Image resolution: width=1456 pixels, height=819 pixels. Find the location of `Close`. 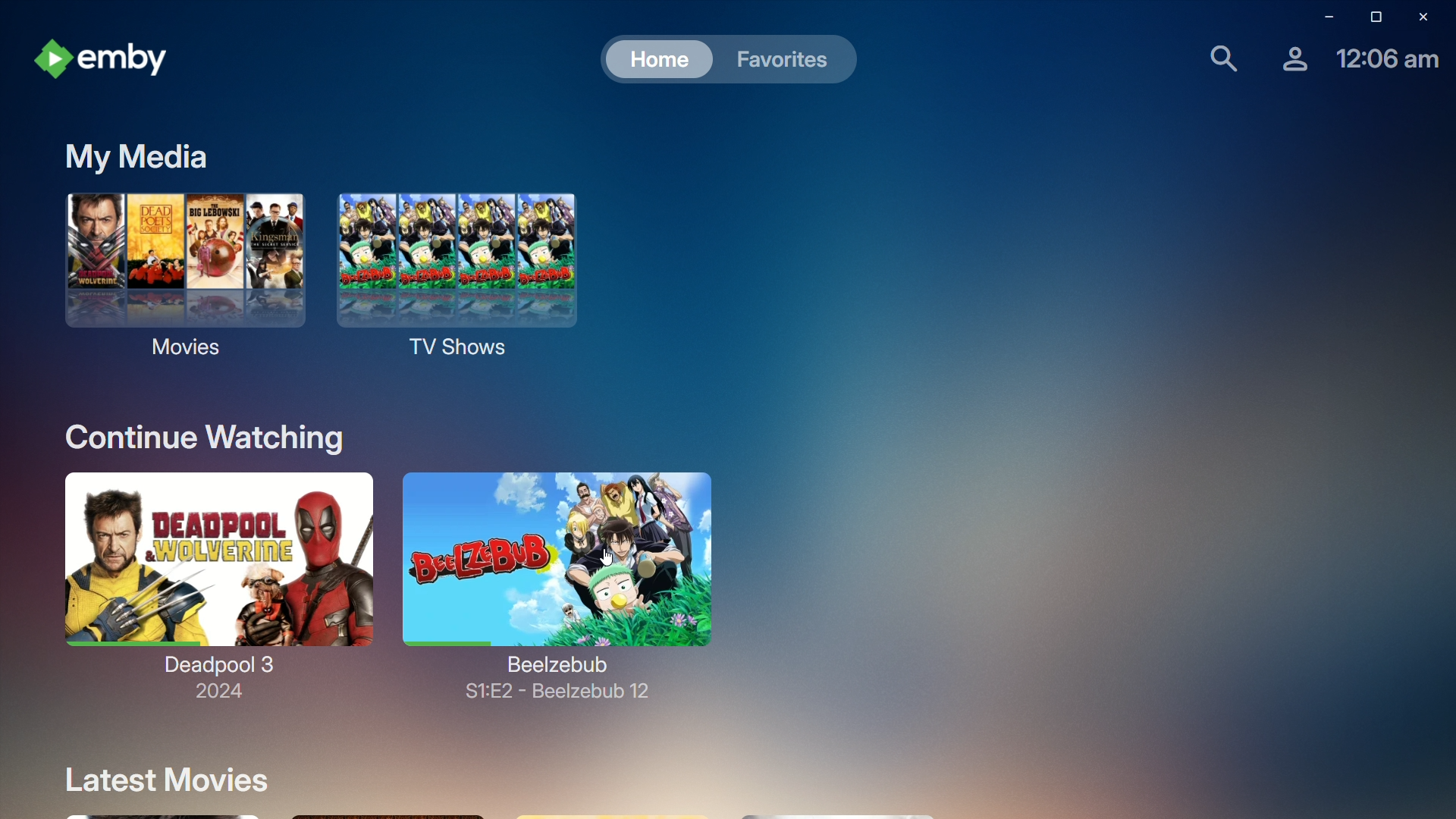

Close is located at coordinates (1426, 19).